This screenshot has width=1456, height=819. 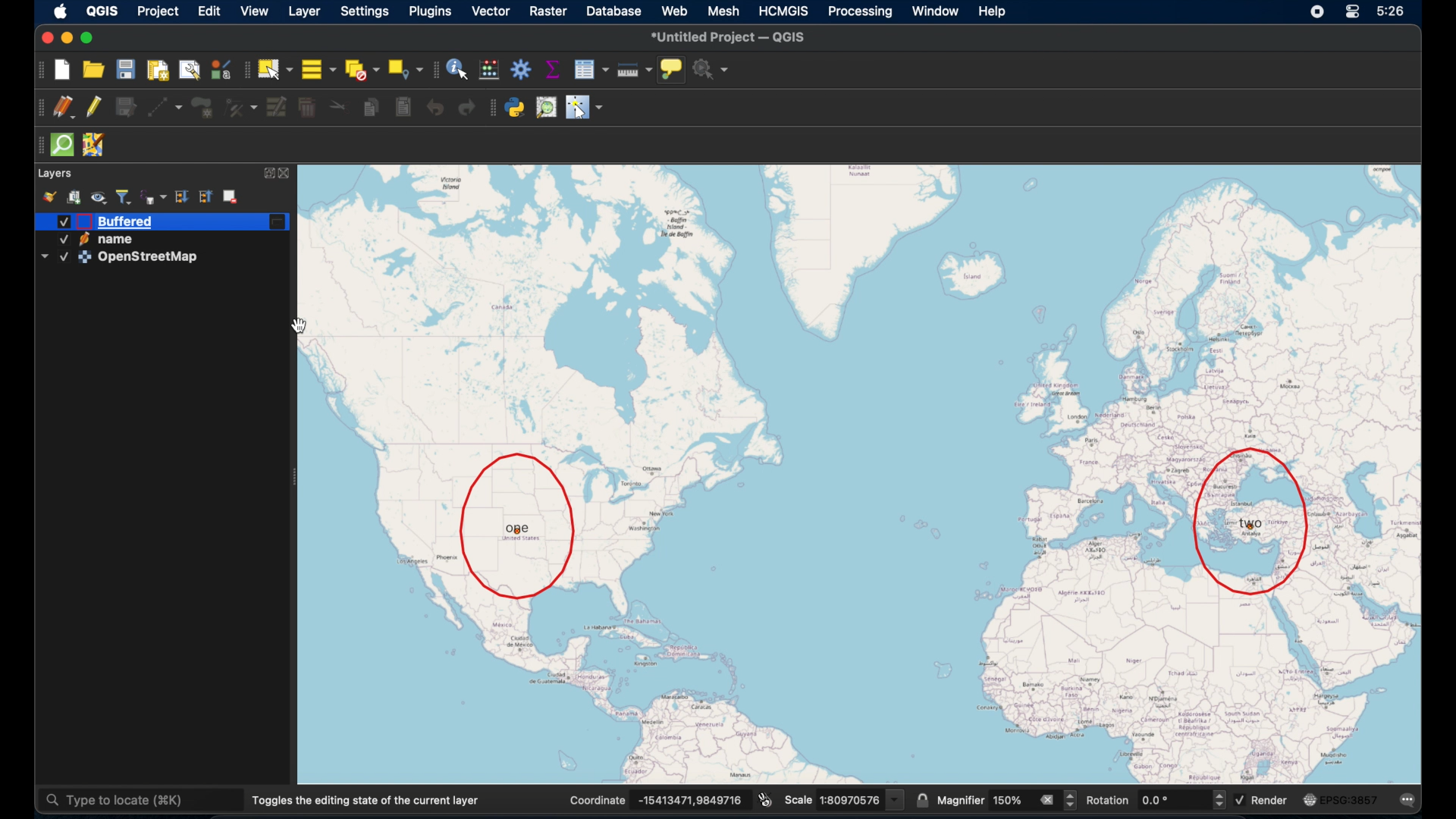 What do you see at coordinates (94, 71) in the screenshot?
I see `open project` at bounding box center [94, 71].